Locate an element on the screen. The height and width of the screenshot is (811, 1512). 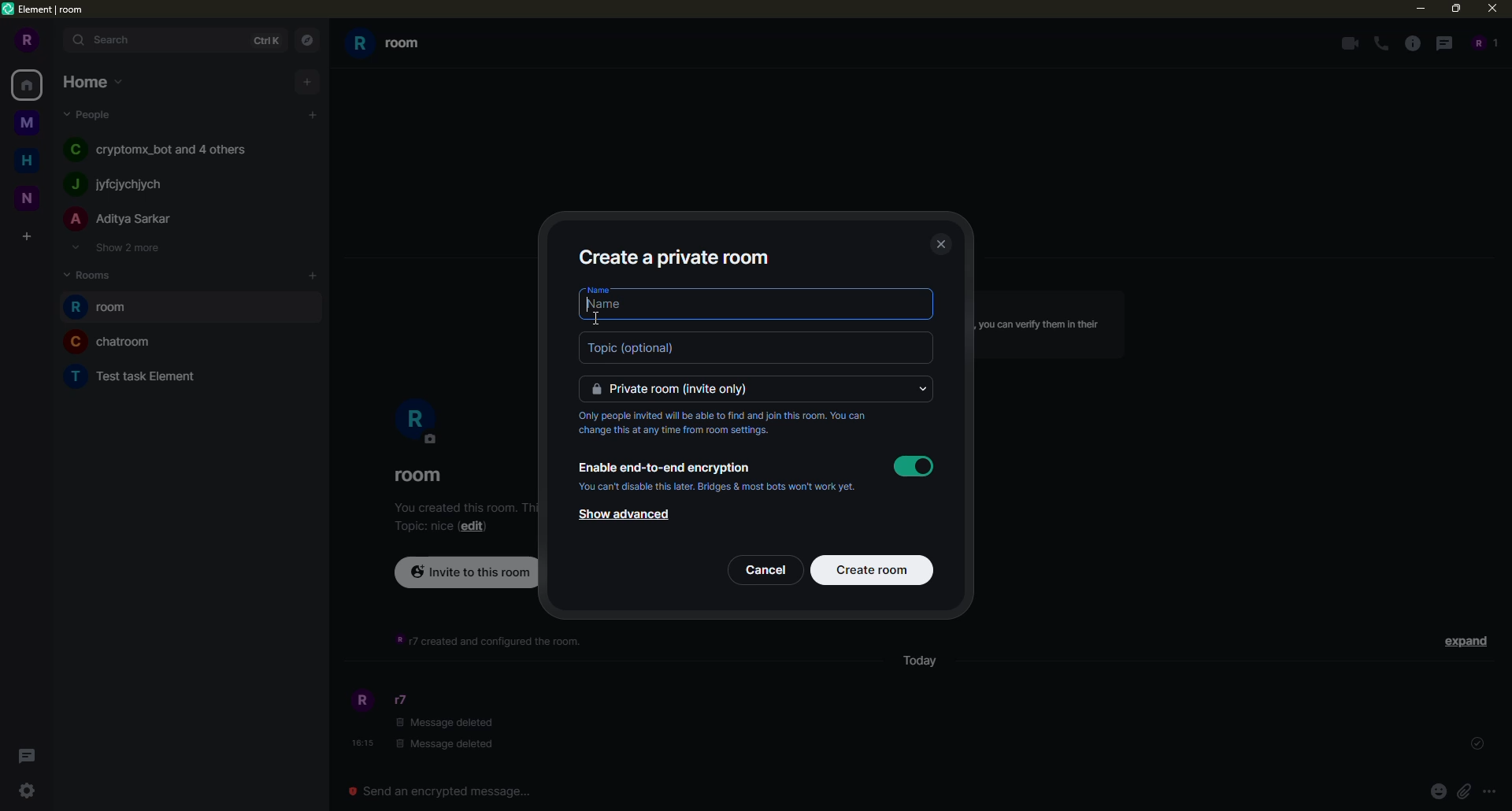
enable is located at coordinates (912, 466).